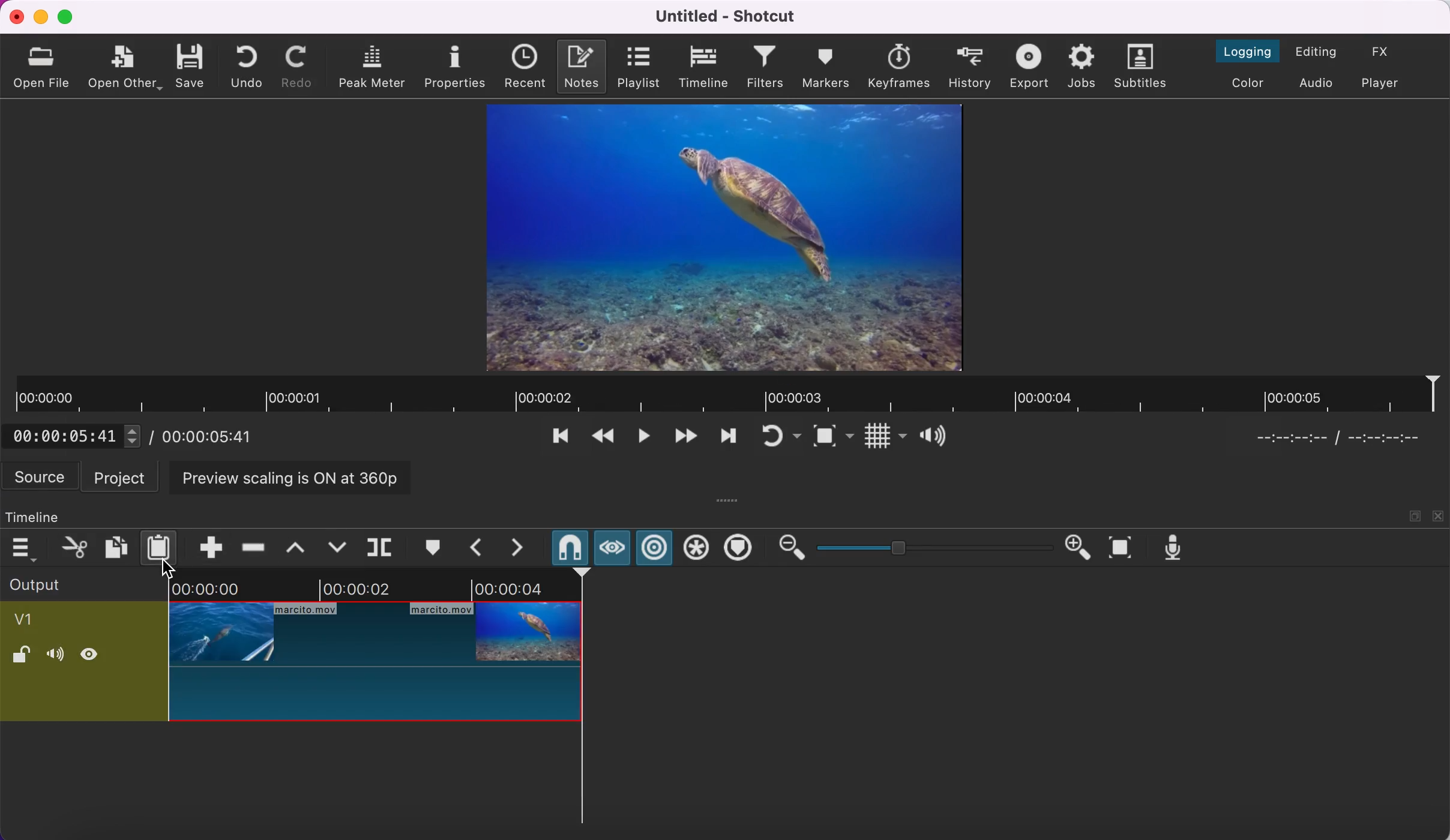 The height and width of the screenshot is (840, 1450). I want to click on title, so click(733, 17).